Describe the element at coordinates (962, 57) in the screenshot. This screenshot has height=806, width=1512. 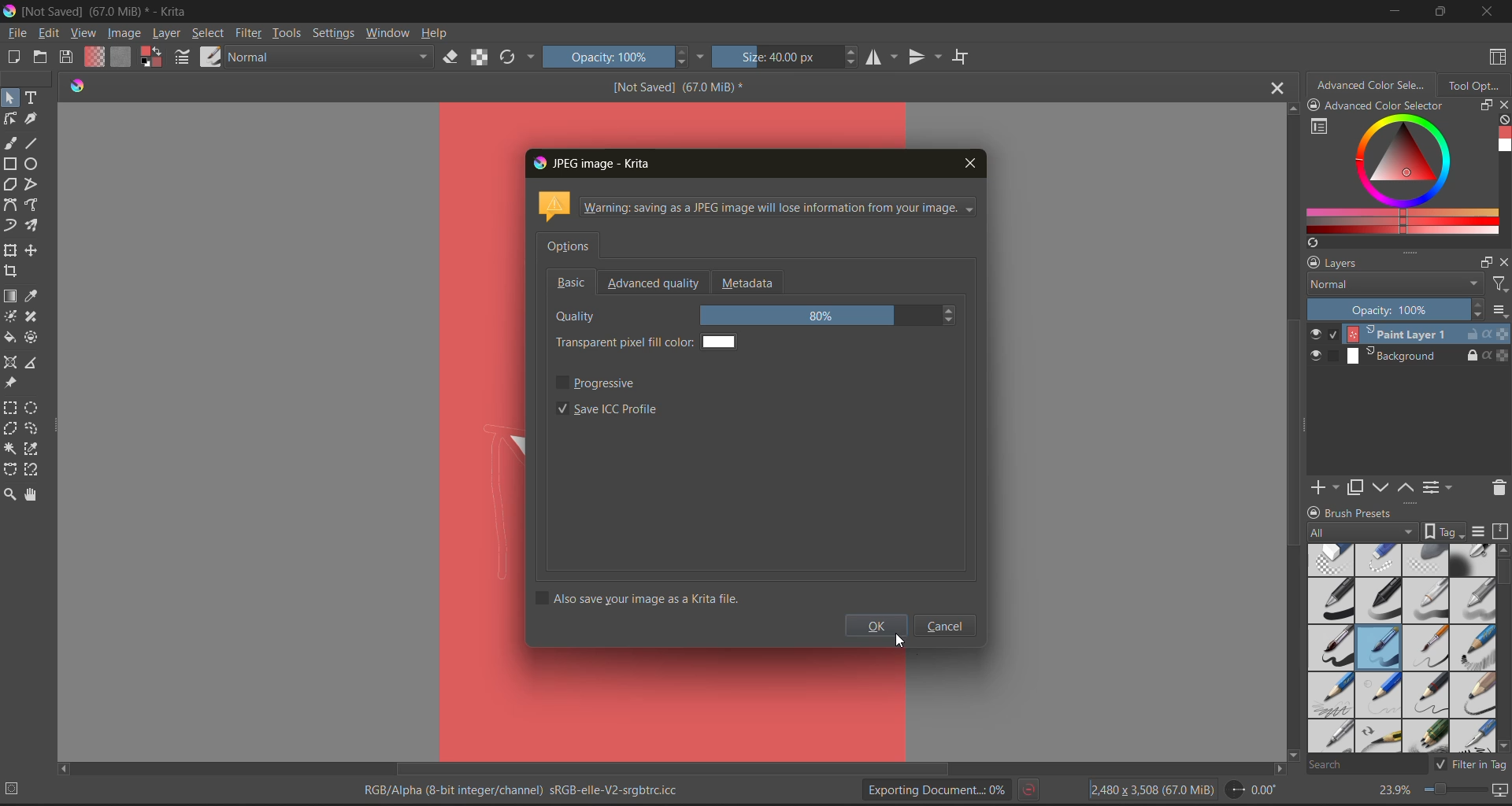
I see `wrap around mode` at that location.